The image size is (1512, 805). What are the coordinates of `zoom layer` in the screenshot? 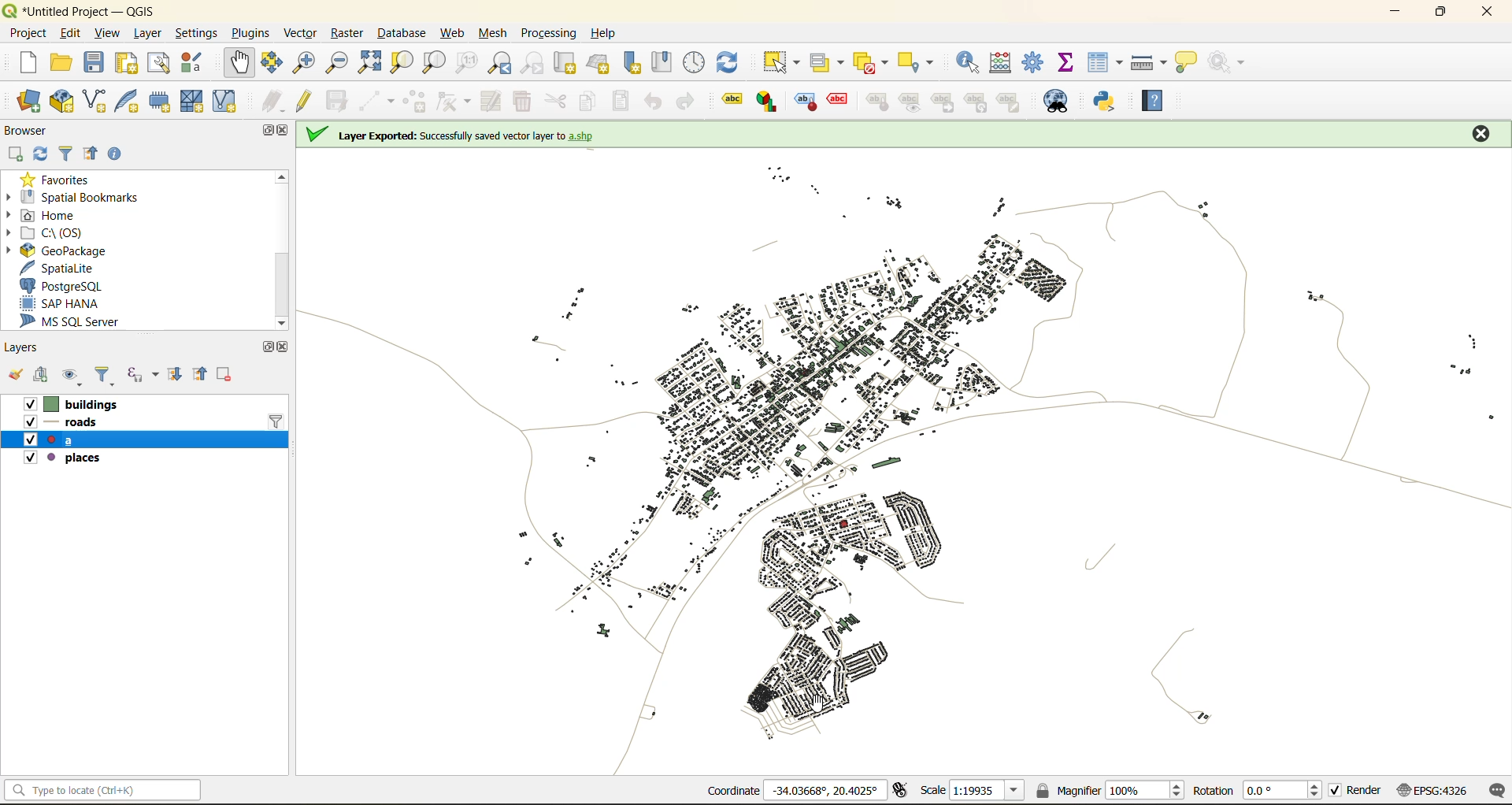 It's located at (434, 62).